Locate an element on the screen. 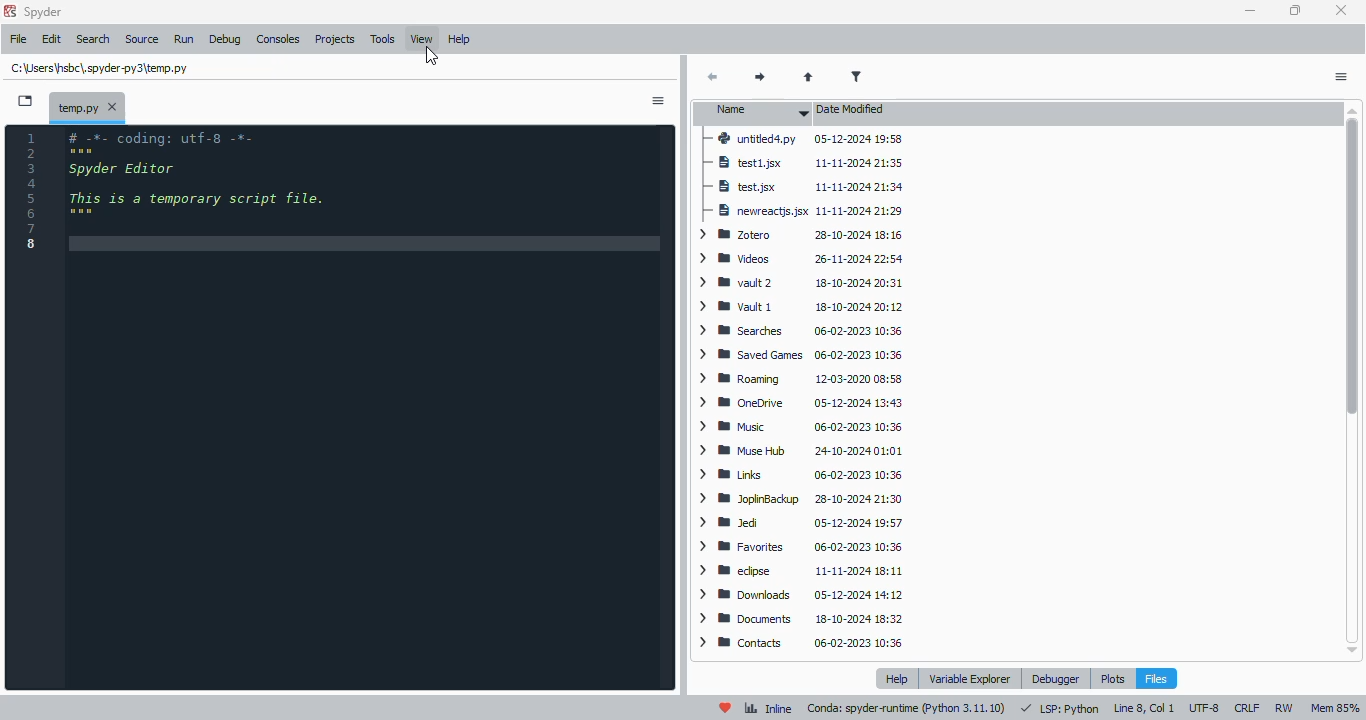 Image resolution: width=1366 pixels, height=720 pixels. Zotero is located at coordinates (801, 234).